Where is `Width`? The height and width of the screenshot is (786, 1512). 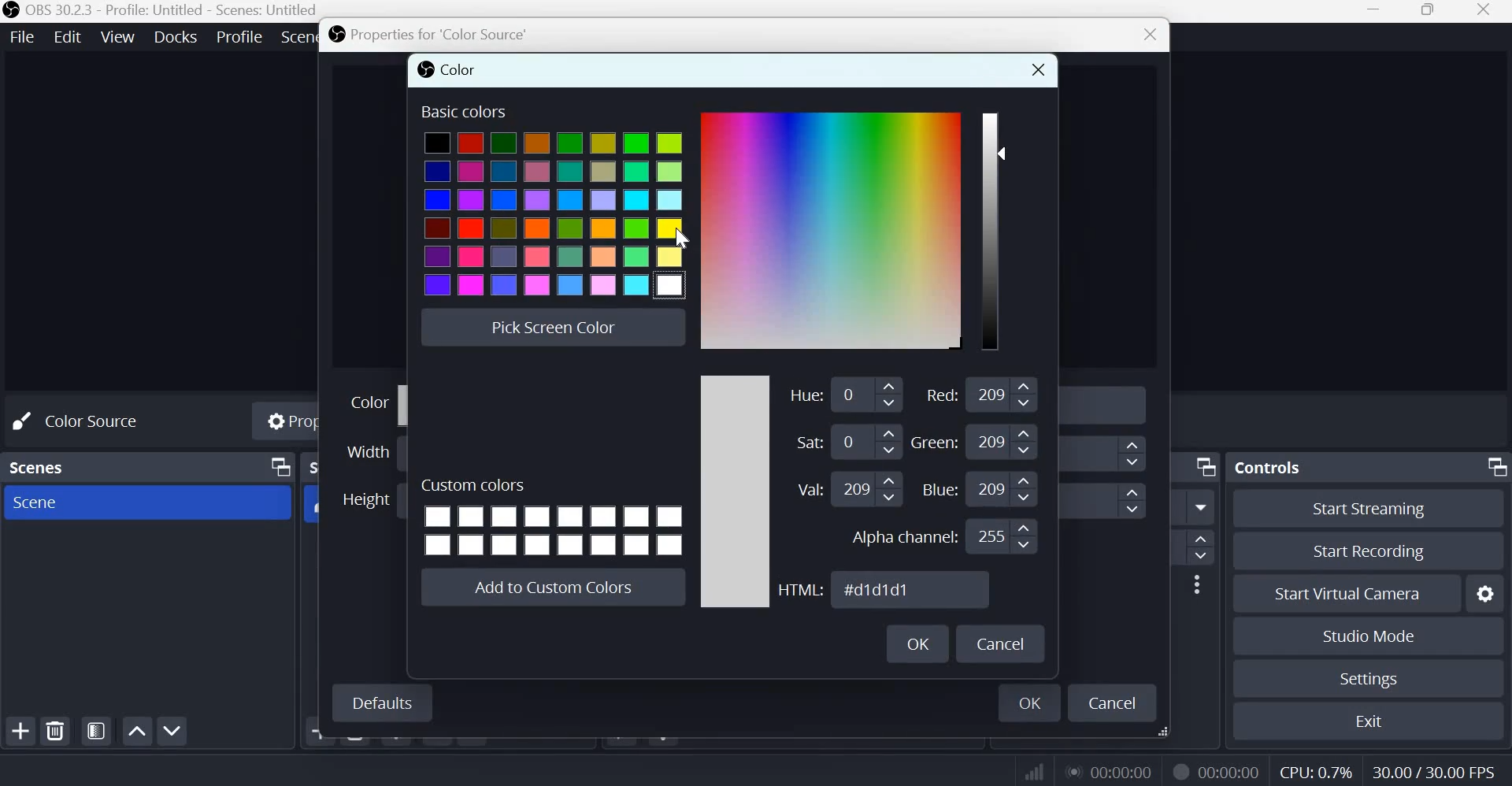
Width is located at coordinates (365, 450).